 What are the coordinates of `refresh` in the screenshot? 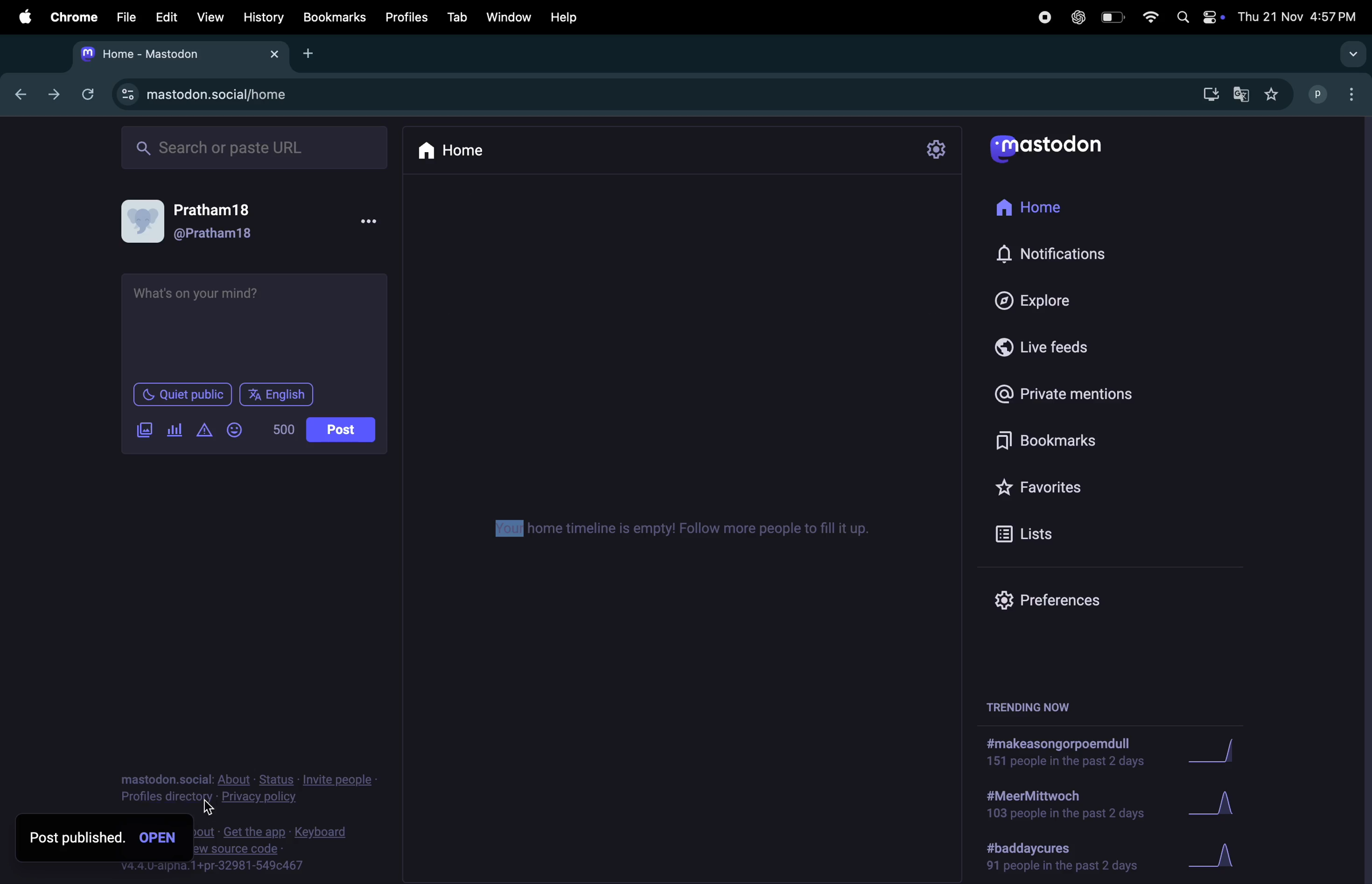 It's located at (85, 93).